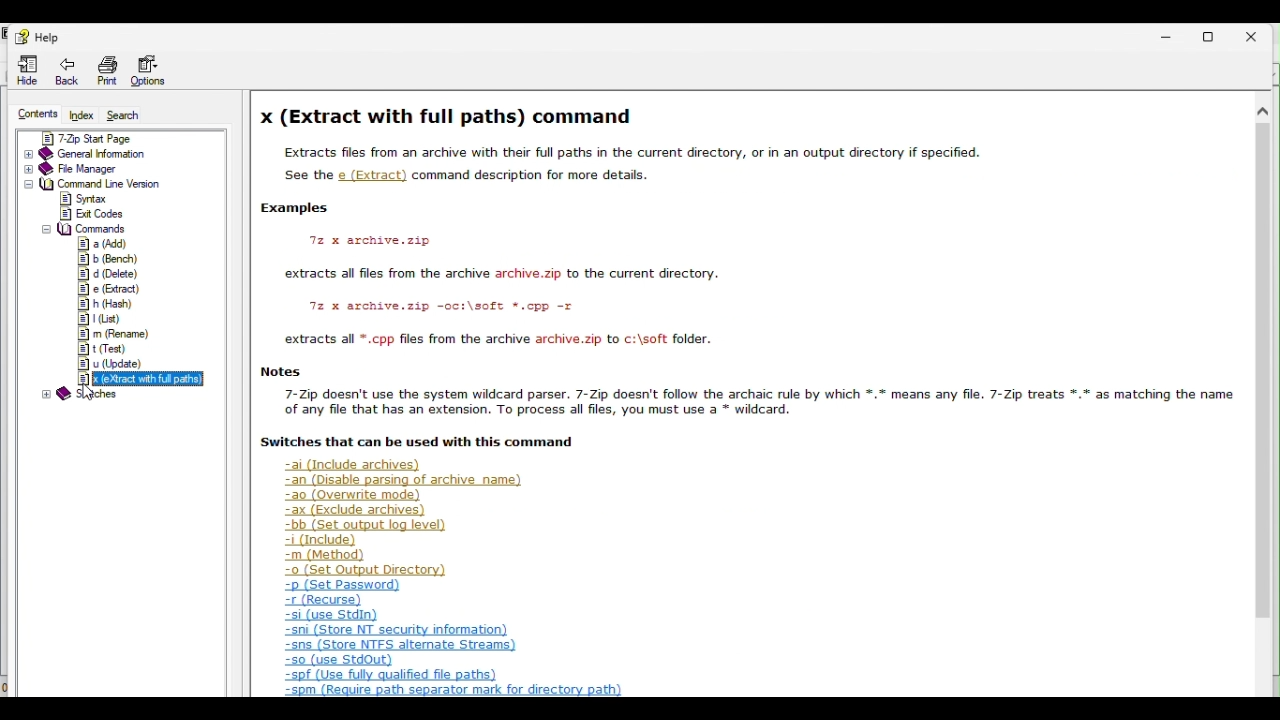  I want to click on -si, so click(331, 616).